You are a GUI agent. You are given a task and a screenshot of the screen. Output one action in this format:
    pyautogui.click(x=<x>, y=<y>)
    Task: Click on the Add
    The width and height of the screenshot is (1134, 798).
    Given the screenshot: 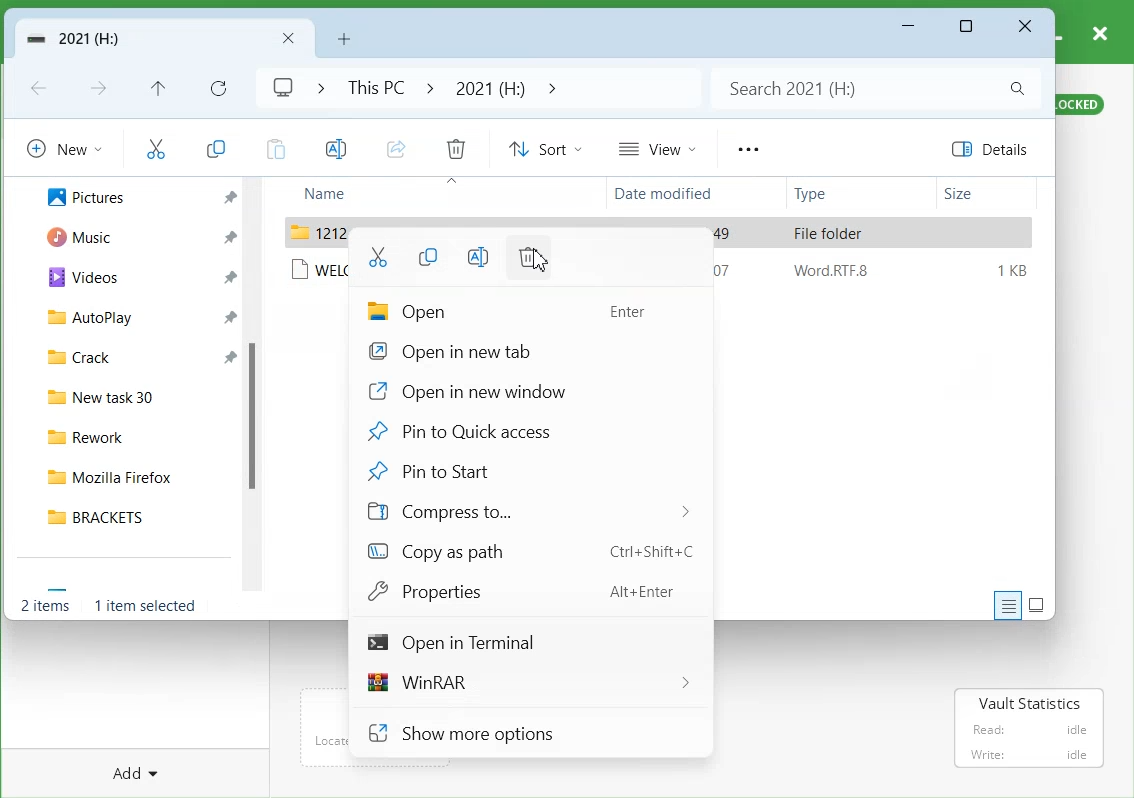 What is the action you would take?
    pyautogui.click(x=130, y=772)
    